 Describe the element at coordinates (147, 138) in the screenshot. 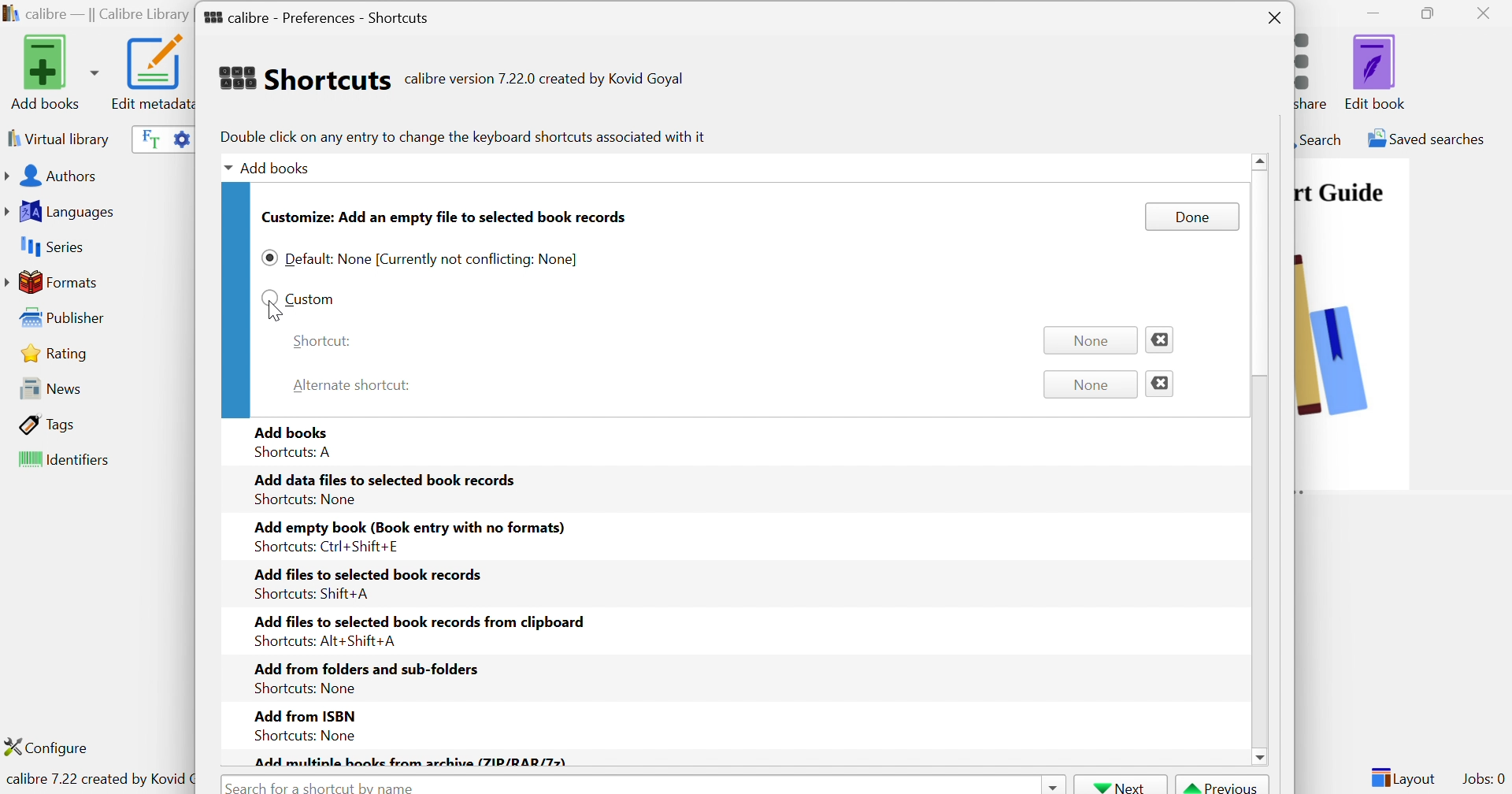

I see `Search the full text of all books in the library, not just their metadata` at that location.